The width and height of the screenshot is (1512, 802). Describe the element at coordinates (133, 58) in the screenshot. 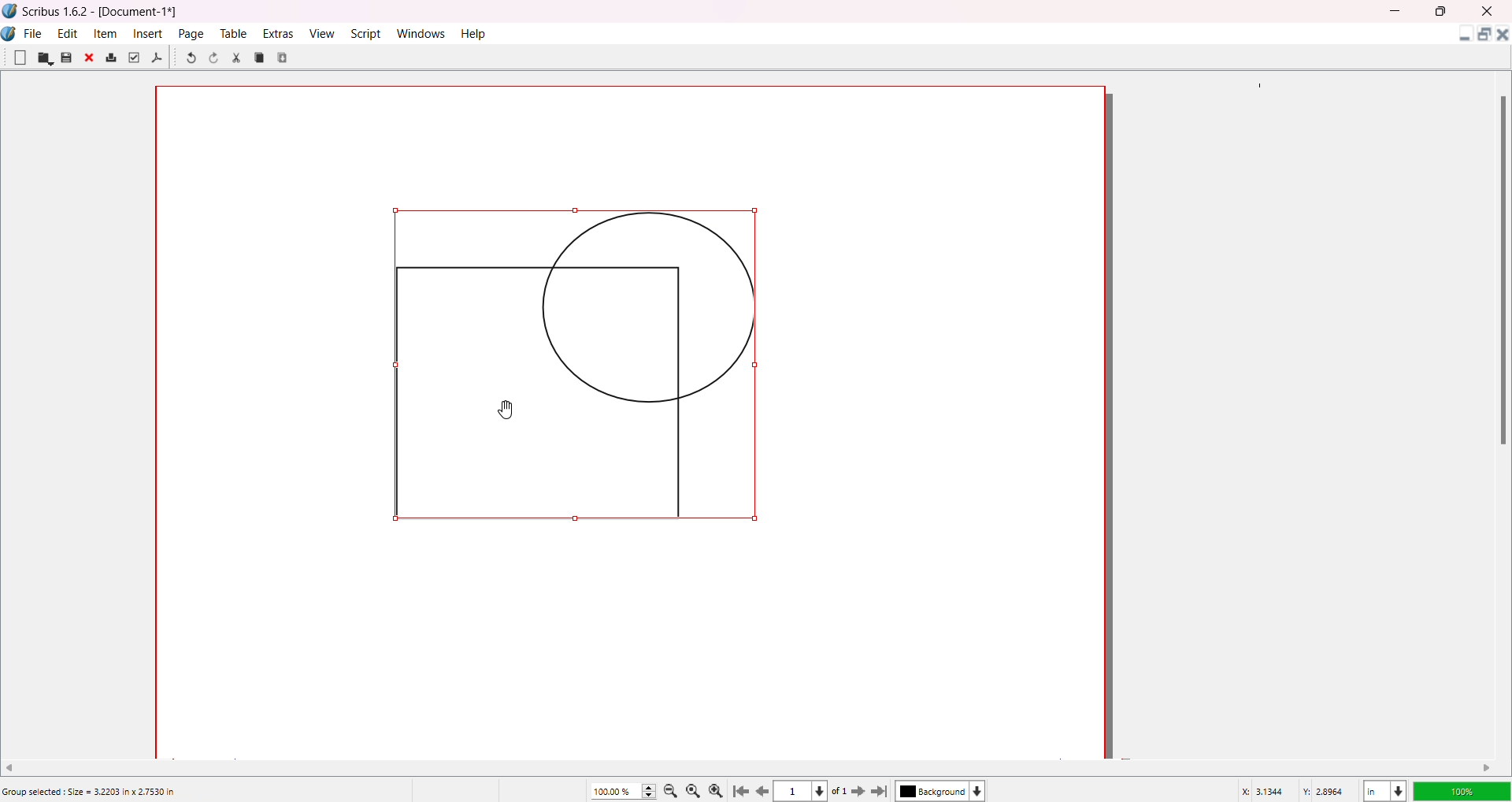

I see `Preflight Verifier` at that location.